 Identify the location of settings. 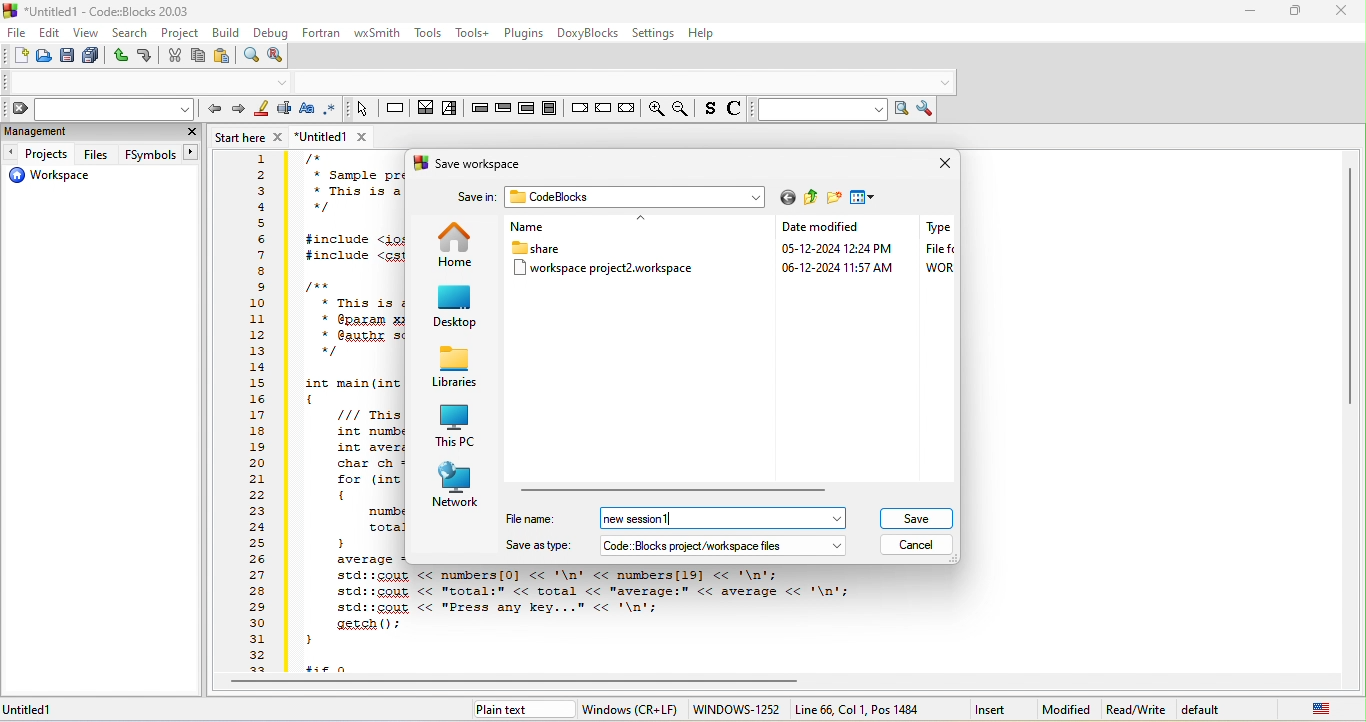
(653, 34).